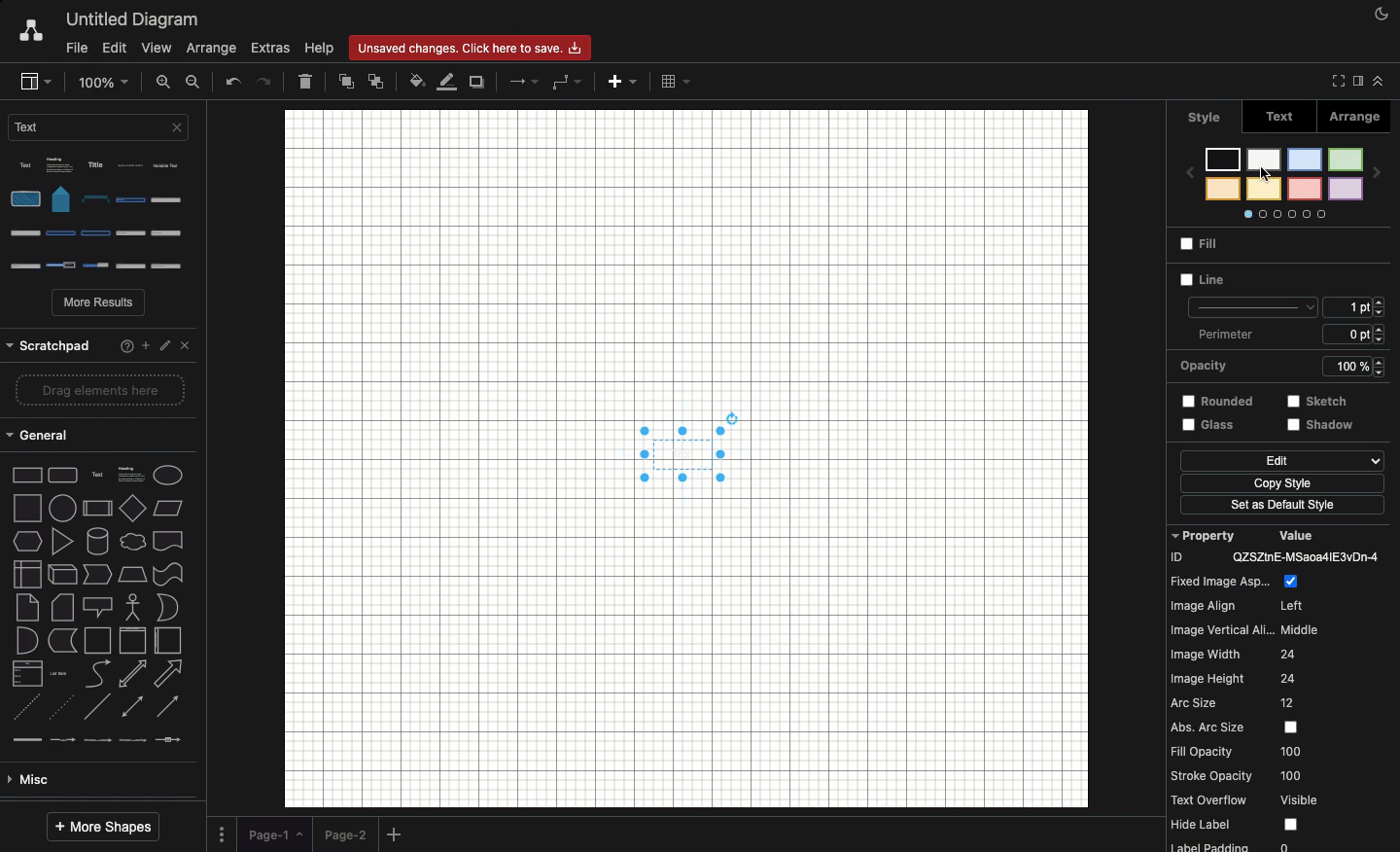 Image resolution: width=1400 pixels, height=852 pixels. I want to click on Edit, so click(113, 47).